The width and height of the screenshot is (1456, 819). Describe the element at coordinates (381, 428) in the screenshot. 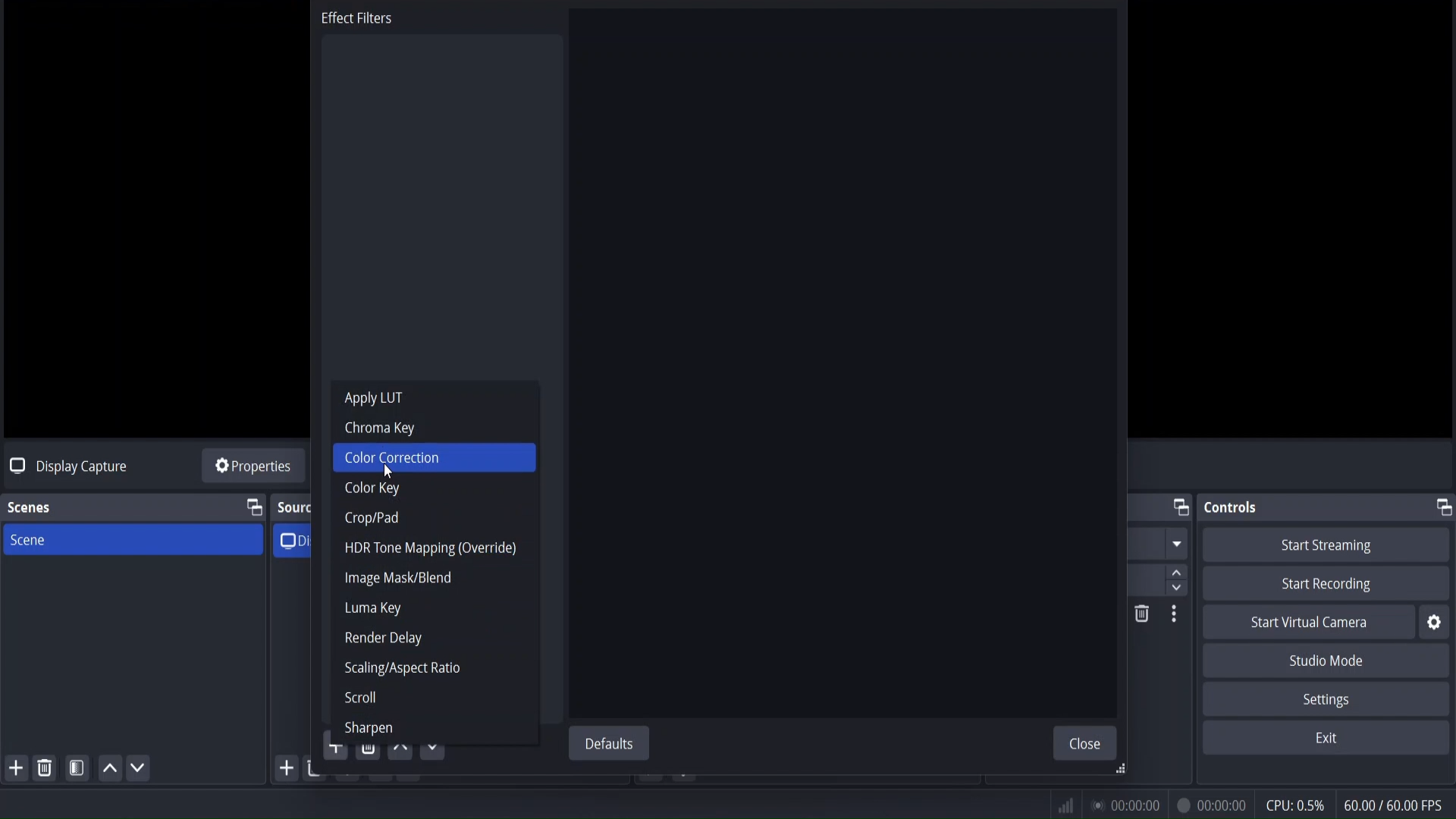

I see `chroma key` at that location.